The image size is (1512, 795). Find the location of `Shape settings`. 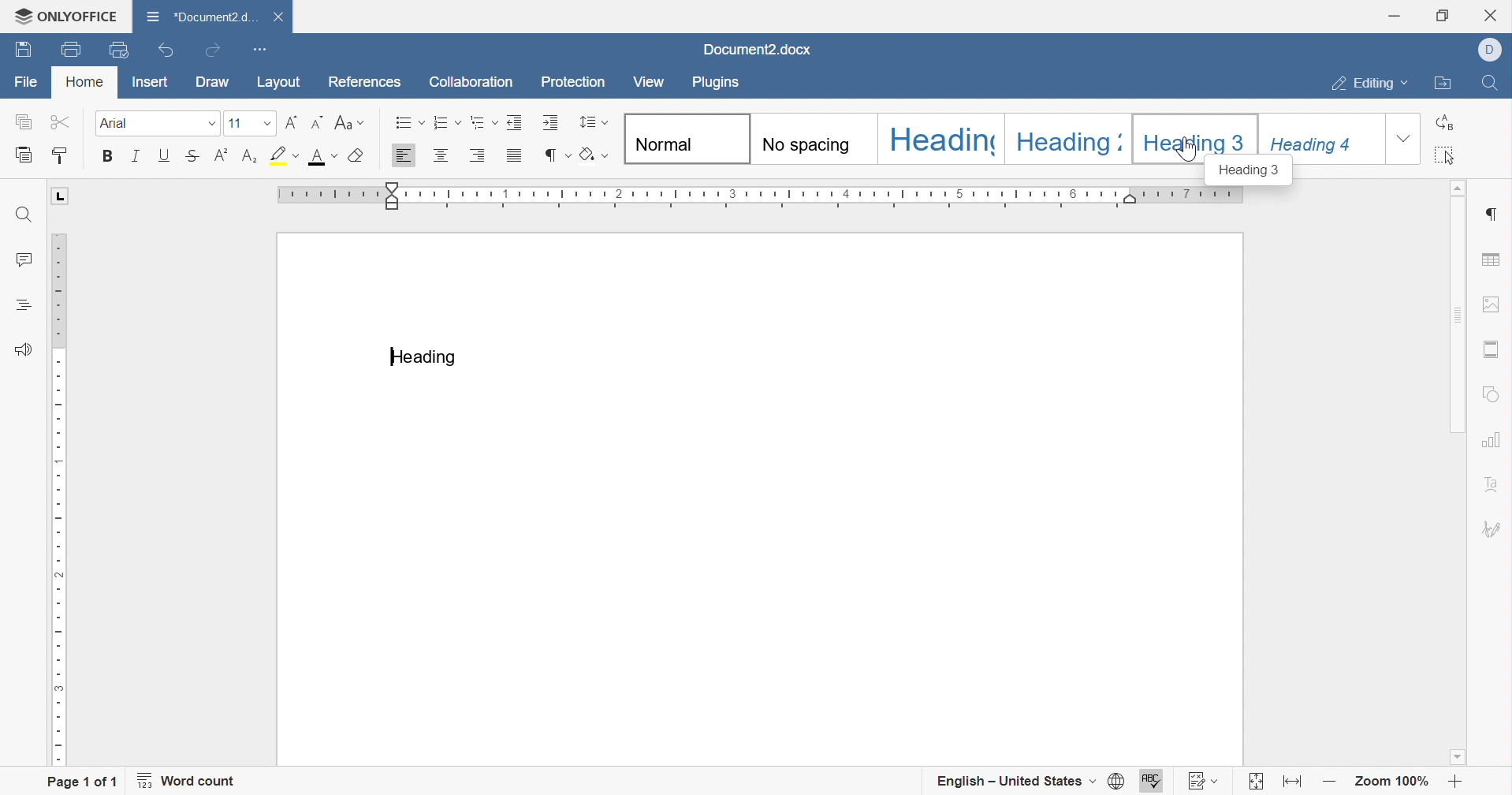

Shape settings is located at coordinates (1493, 394).